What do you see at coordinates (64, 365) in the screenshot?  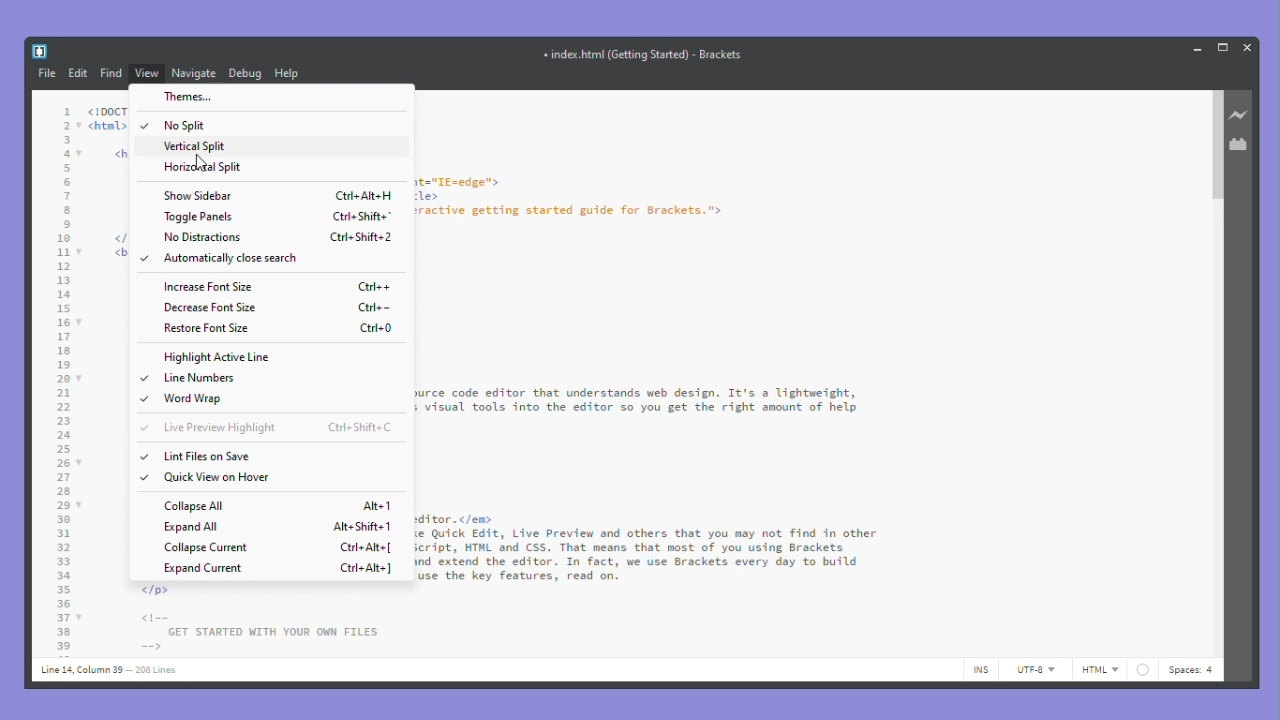 I see `19` at bounding box center [64, 365].